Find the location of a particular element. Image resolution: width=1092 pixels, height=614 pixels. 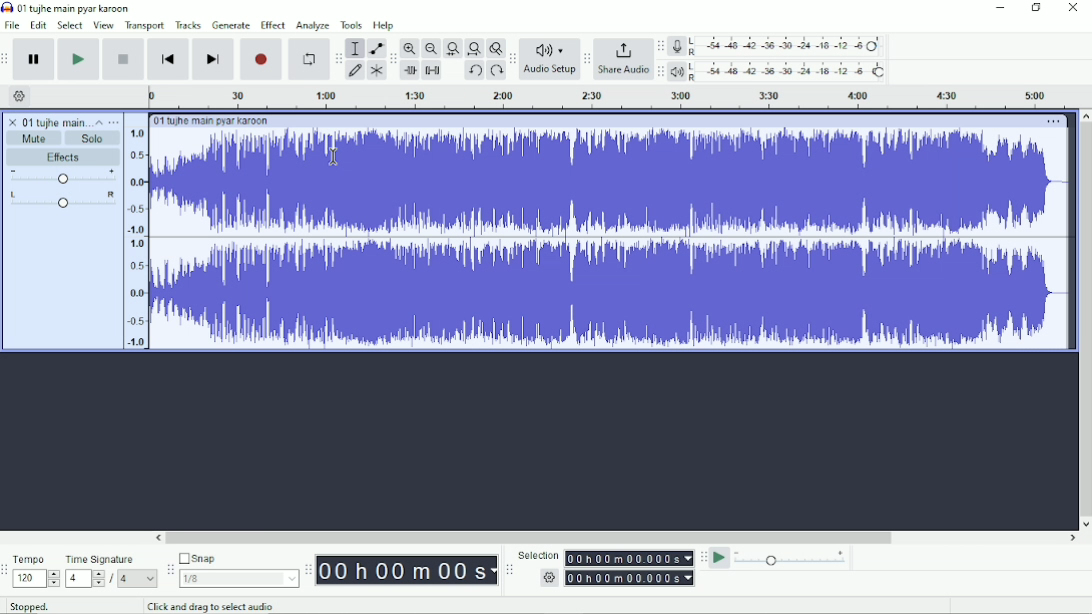

Skip to end is located at coordinates (213, 59).